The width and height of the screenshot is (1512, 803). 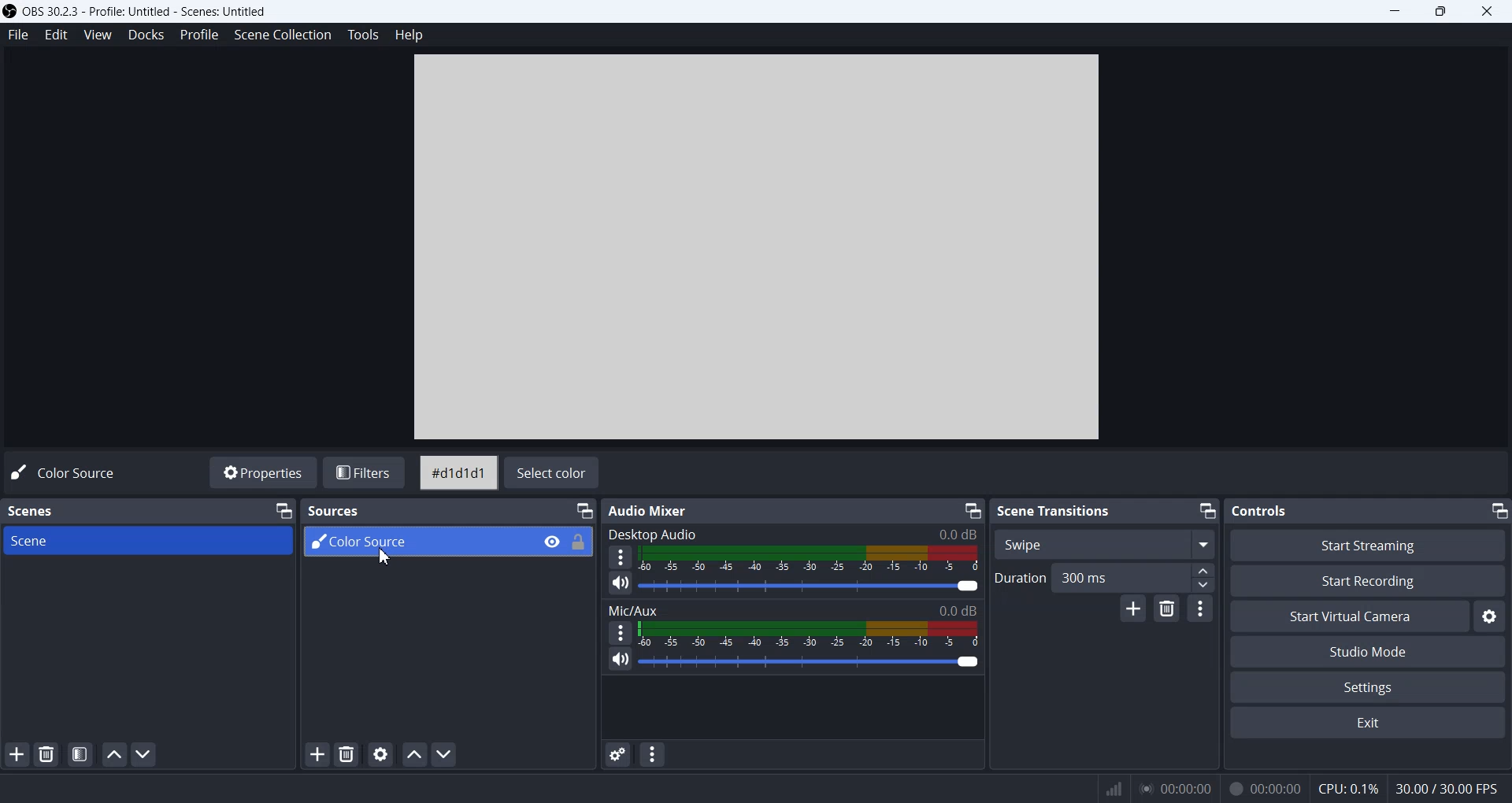 What do you see at coordinates (387, 558) in the screenshot?
I see `Cursor` at bounding box center [387, 558].